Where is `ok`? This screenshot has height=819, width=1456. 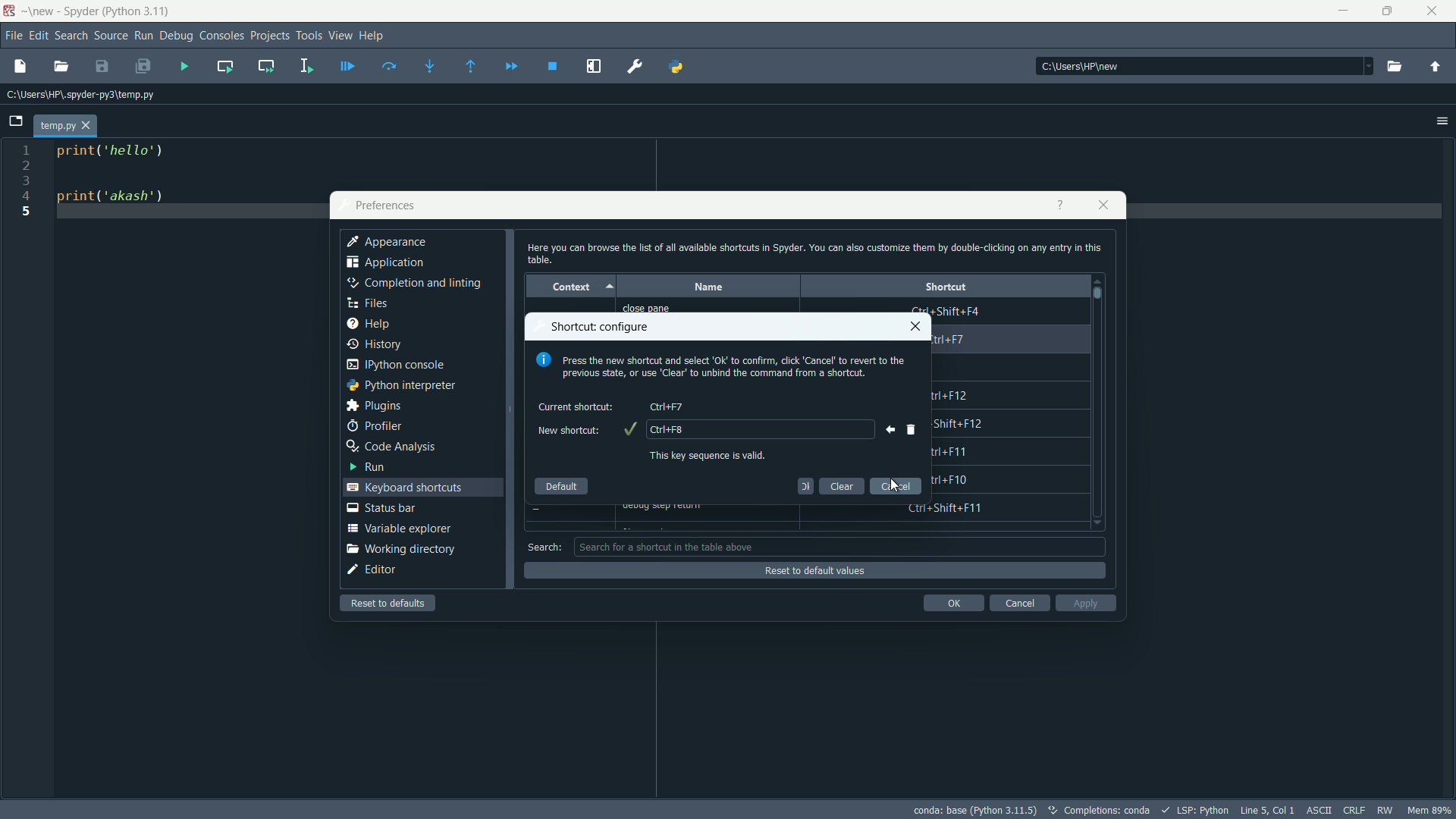 ok is located at coordinates (805, 485).